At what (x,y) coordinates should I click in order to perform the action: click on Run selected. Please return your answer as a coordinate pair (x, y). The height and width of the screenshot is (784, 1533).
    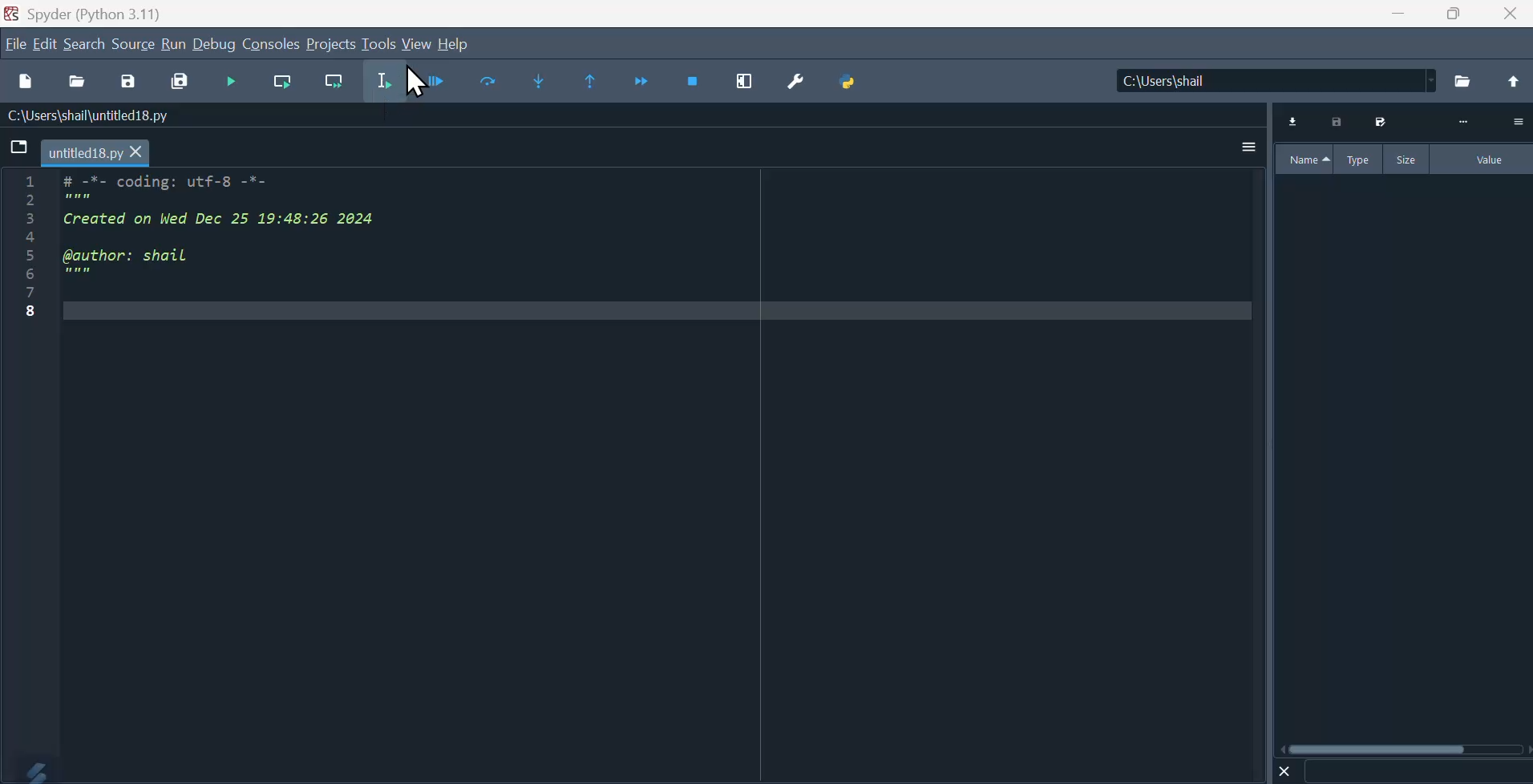
    Looking at the image, I should click on (384, 82).